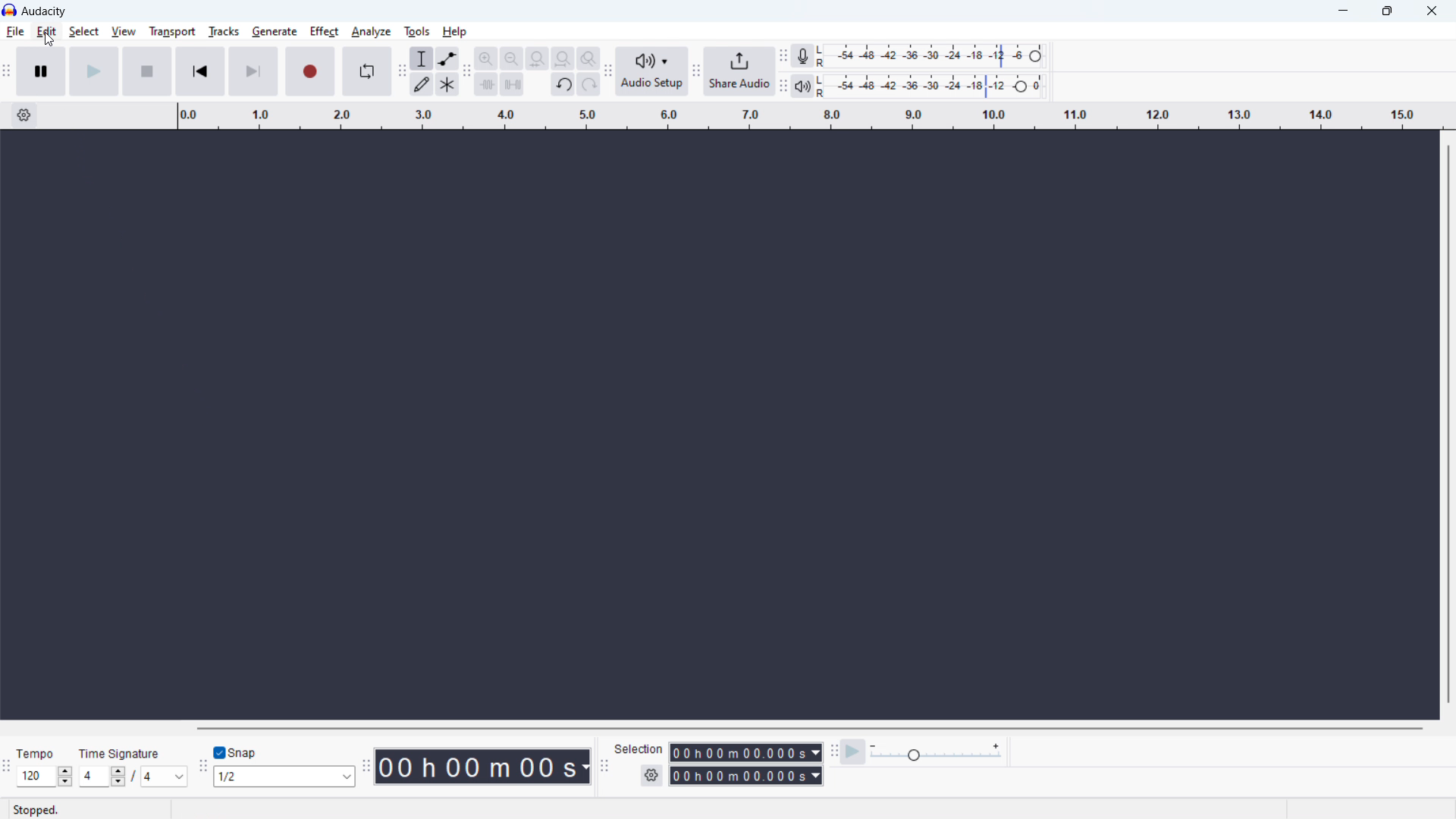 The width and height of the screenshot is (1456, 819). What do you see at coordinates (919, 56) in the screenshot?
I see `recording level` at bounding box center [919, 56].